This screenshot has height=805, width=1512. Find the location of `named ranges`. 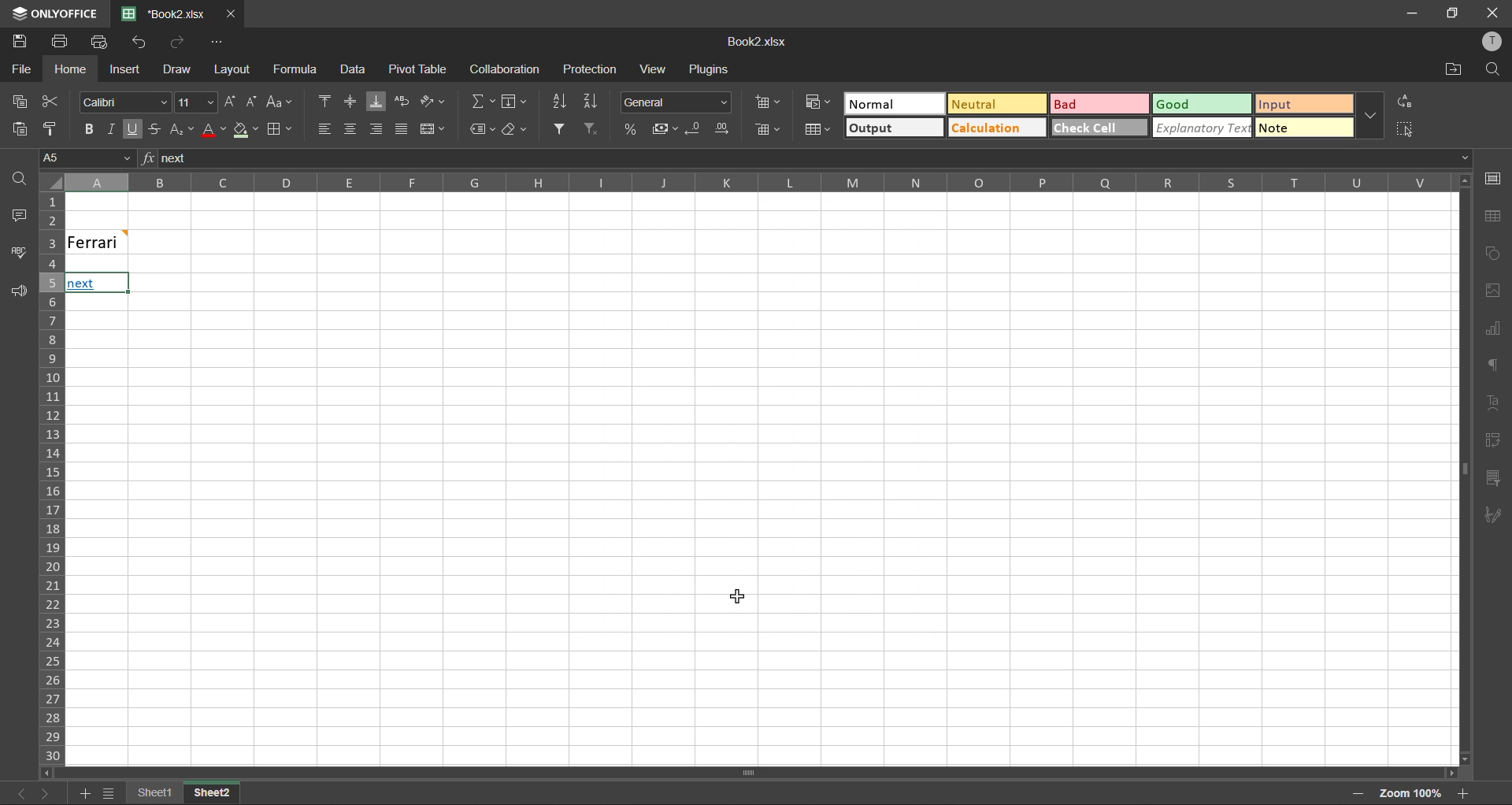

named ranges is located at coordinates (482, 130).